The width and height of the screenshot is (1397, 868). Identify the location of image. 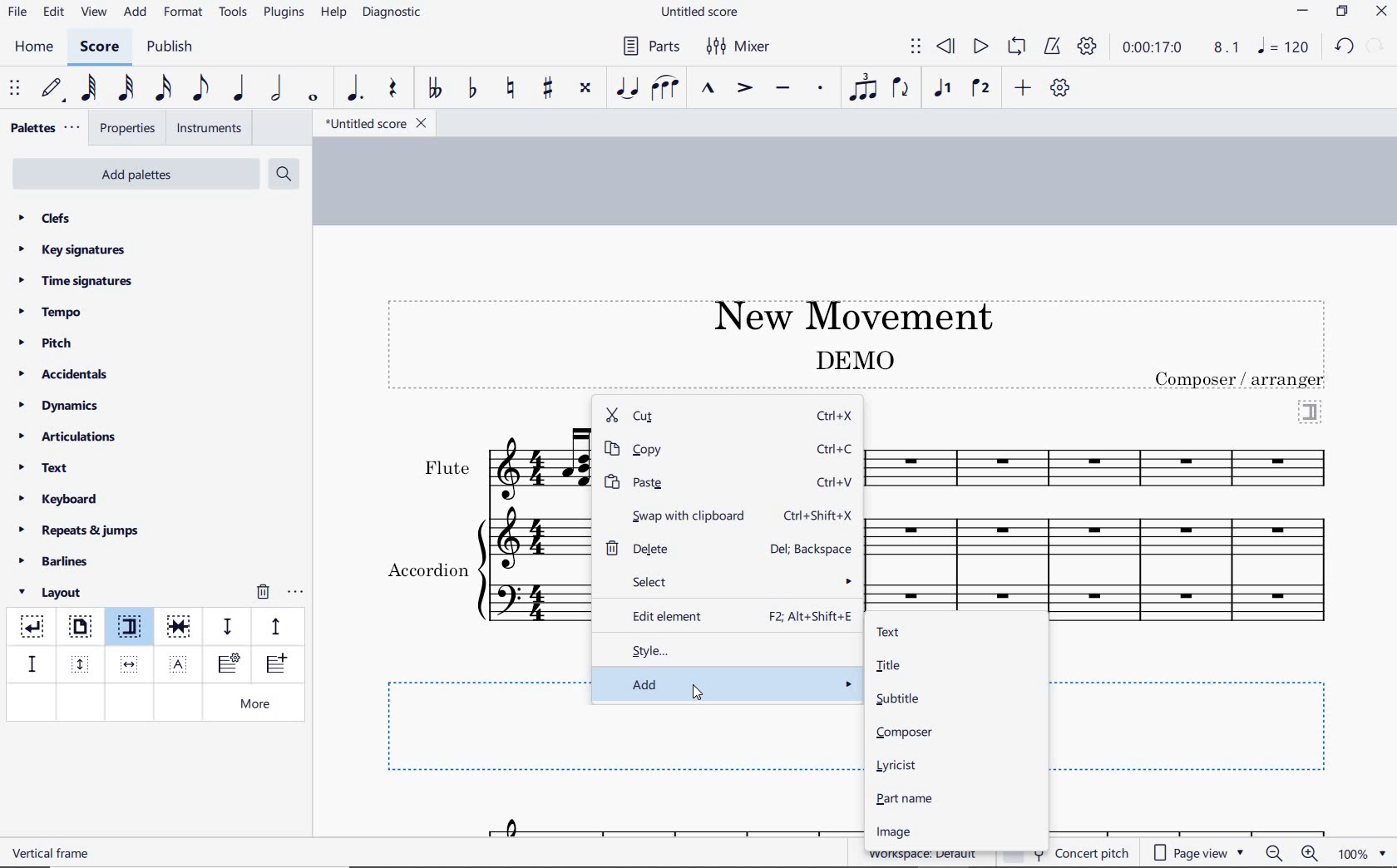
(891, 832).